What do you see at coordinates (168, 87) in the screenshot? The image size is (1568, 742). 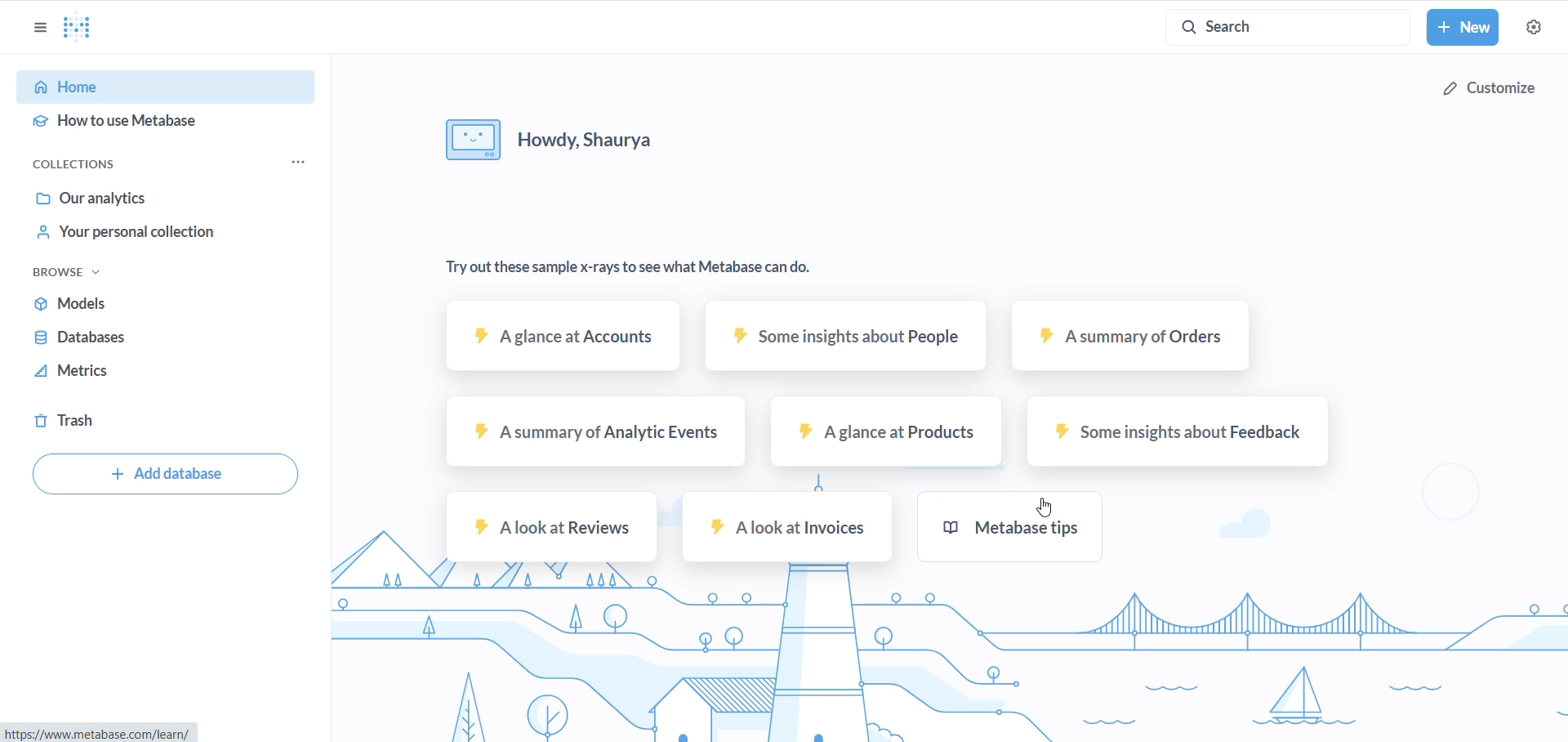 I see `HOME` at bounding box center [168, 87].